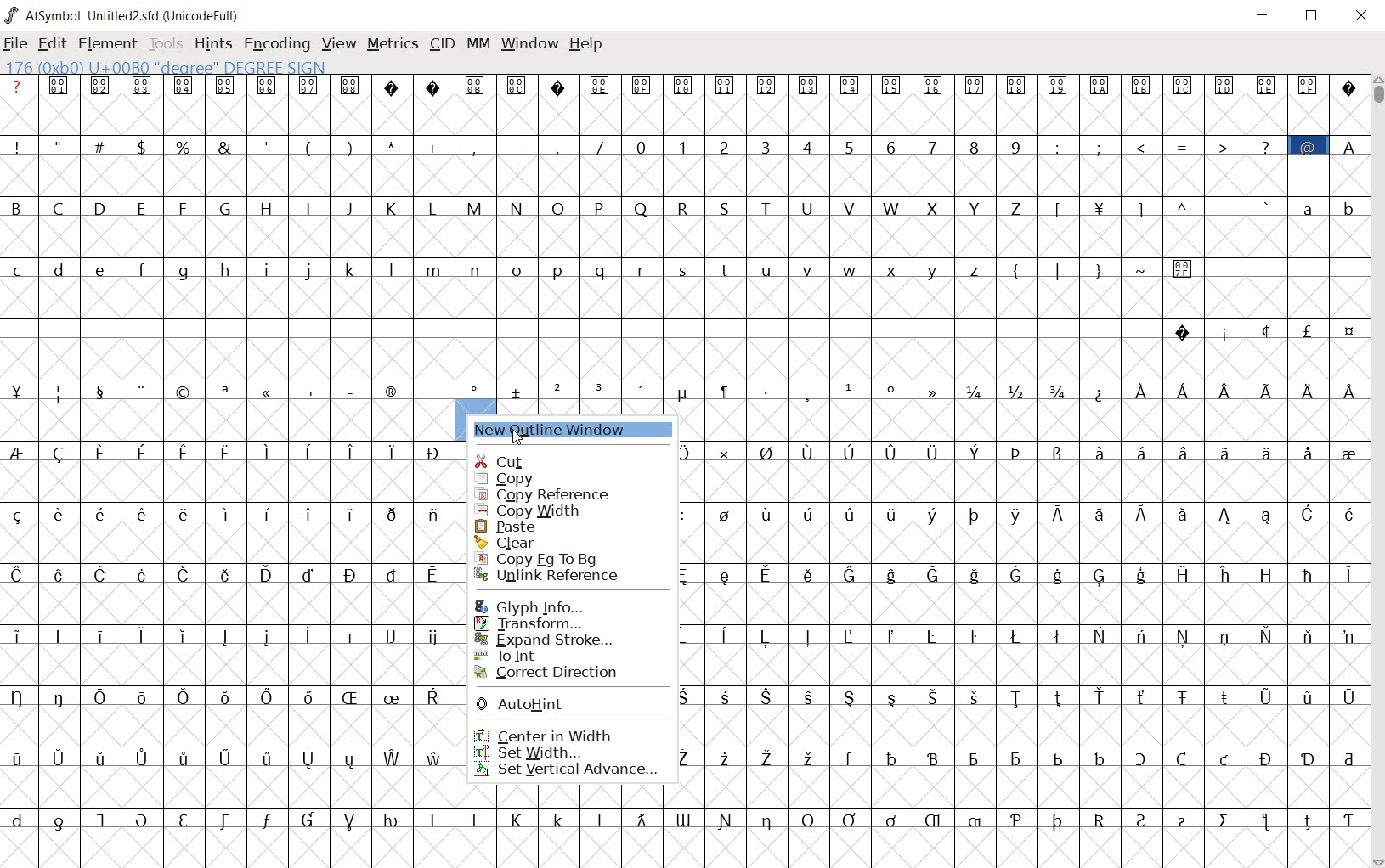 The image size is (1385, 868). What do you see at coordinates (1020, 727) in the screenshot?
I see `empty glyph slots` at bounding box center [1020, 727].